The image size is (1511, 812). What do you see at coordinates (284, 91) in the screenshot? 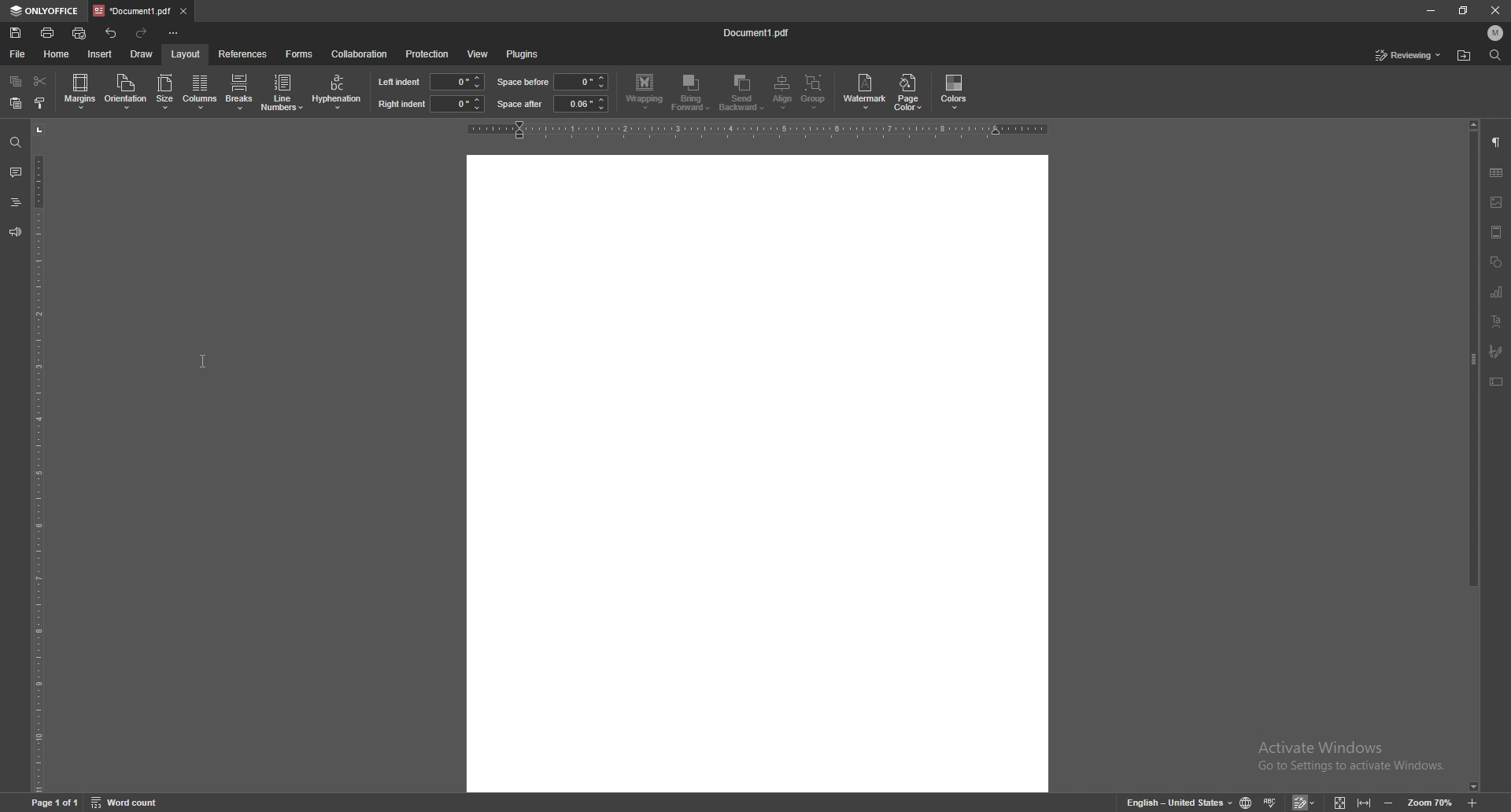
I see `line numbers` at bounding box center [284, 91].